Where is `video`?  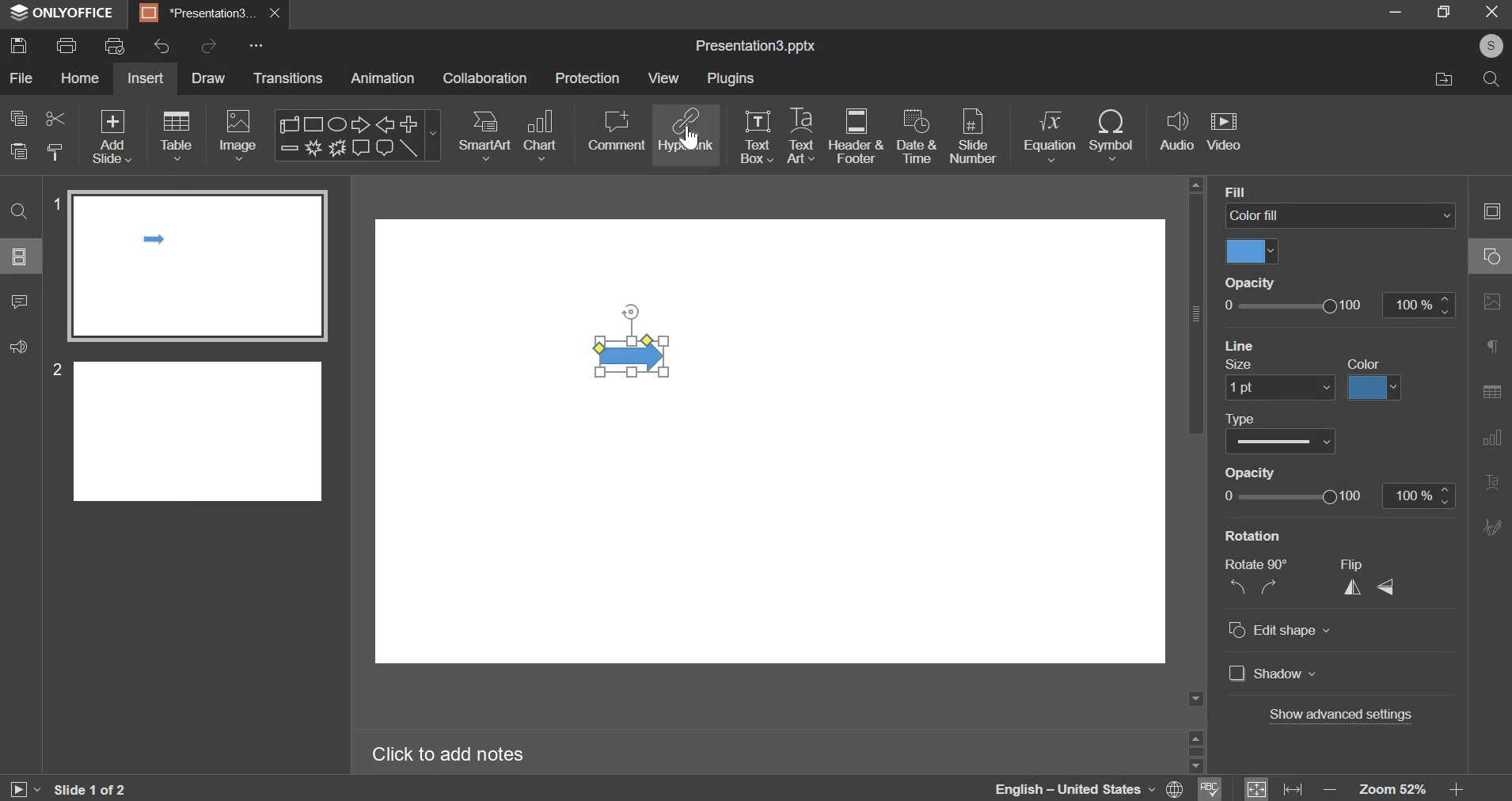 video is located at coordinates (1224, 133).